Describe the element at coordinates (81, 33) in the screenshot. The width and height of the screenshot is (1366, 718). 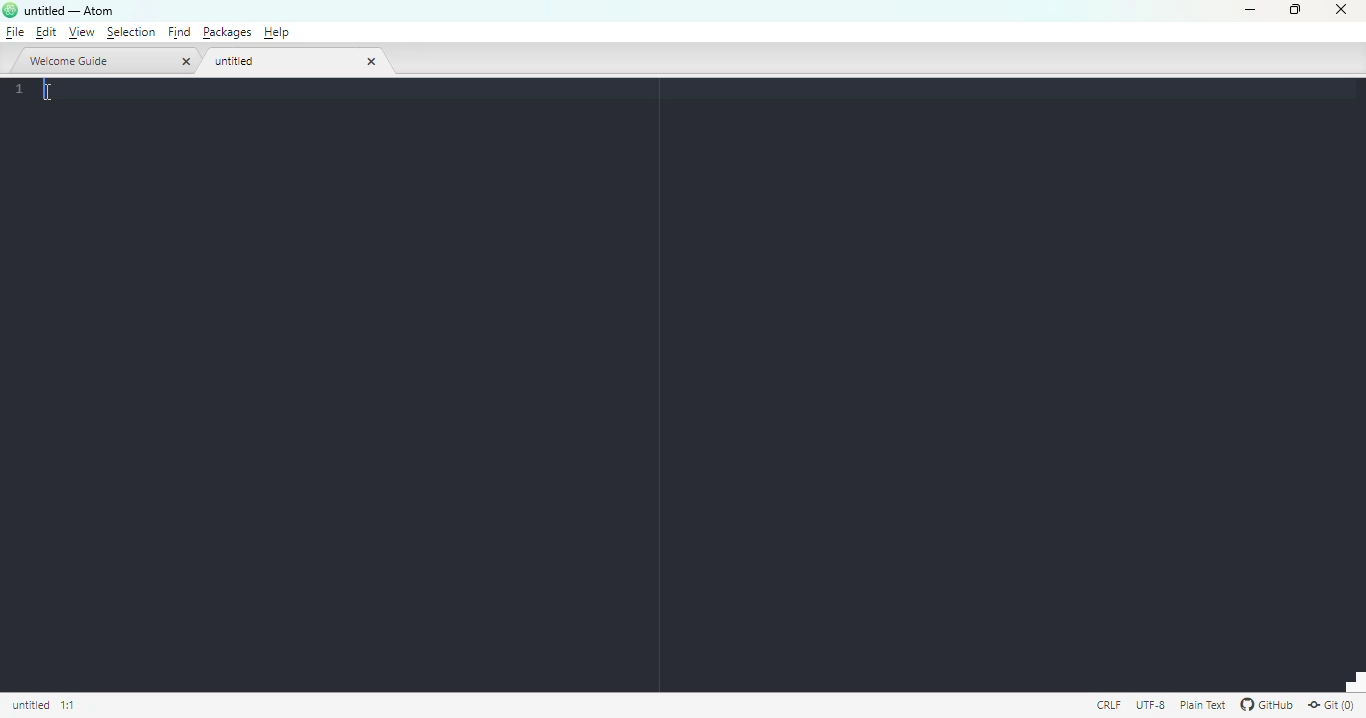
I see `view` at that location.